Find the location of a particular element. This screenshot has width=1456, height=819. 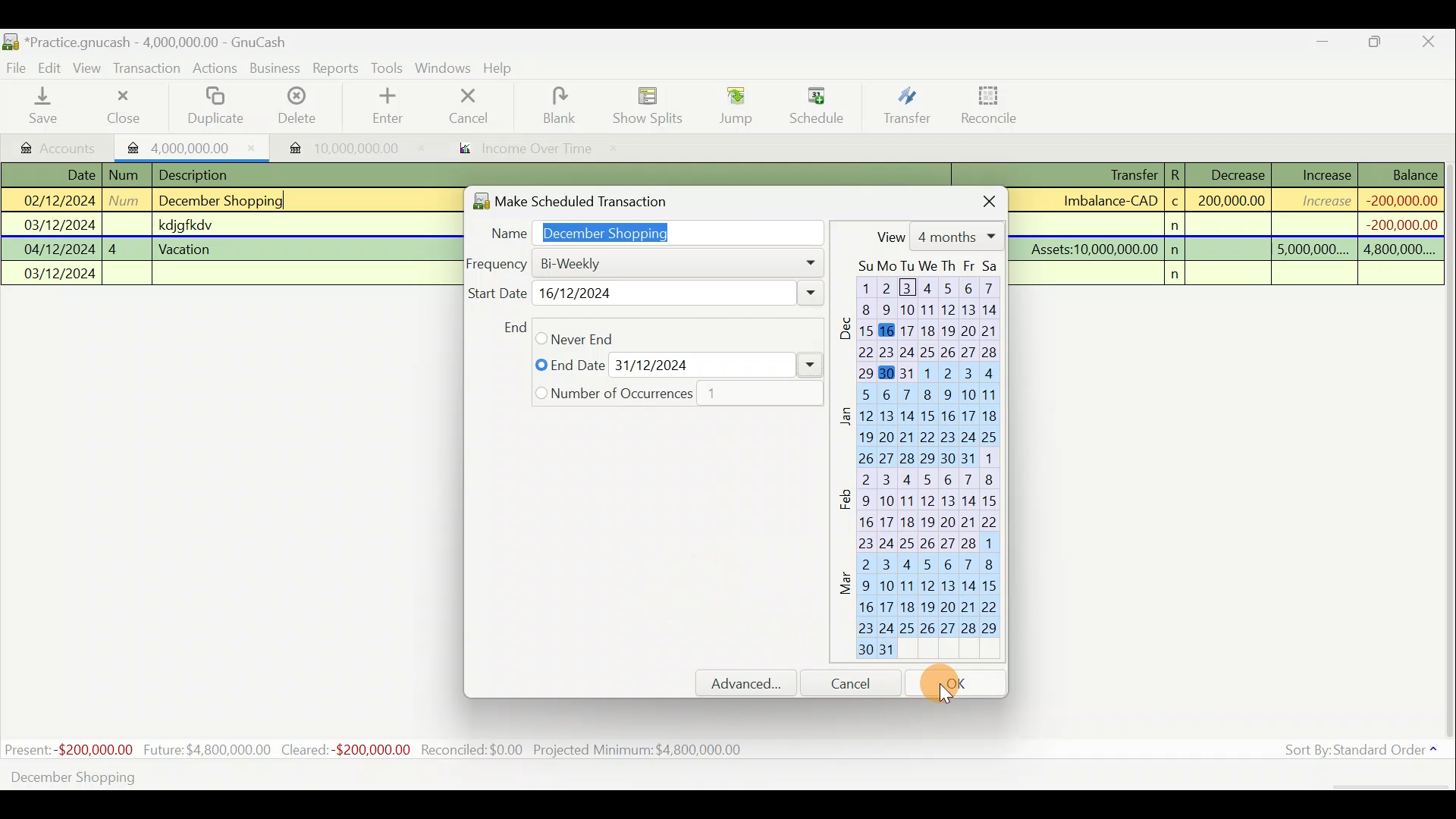

Tools is located at coordinates (389, 68).